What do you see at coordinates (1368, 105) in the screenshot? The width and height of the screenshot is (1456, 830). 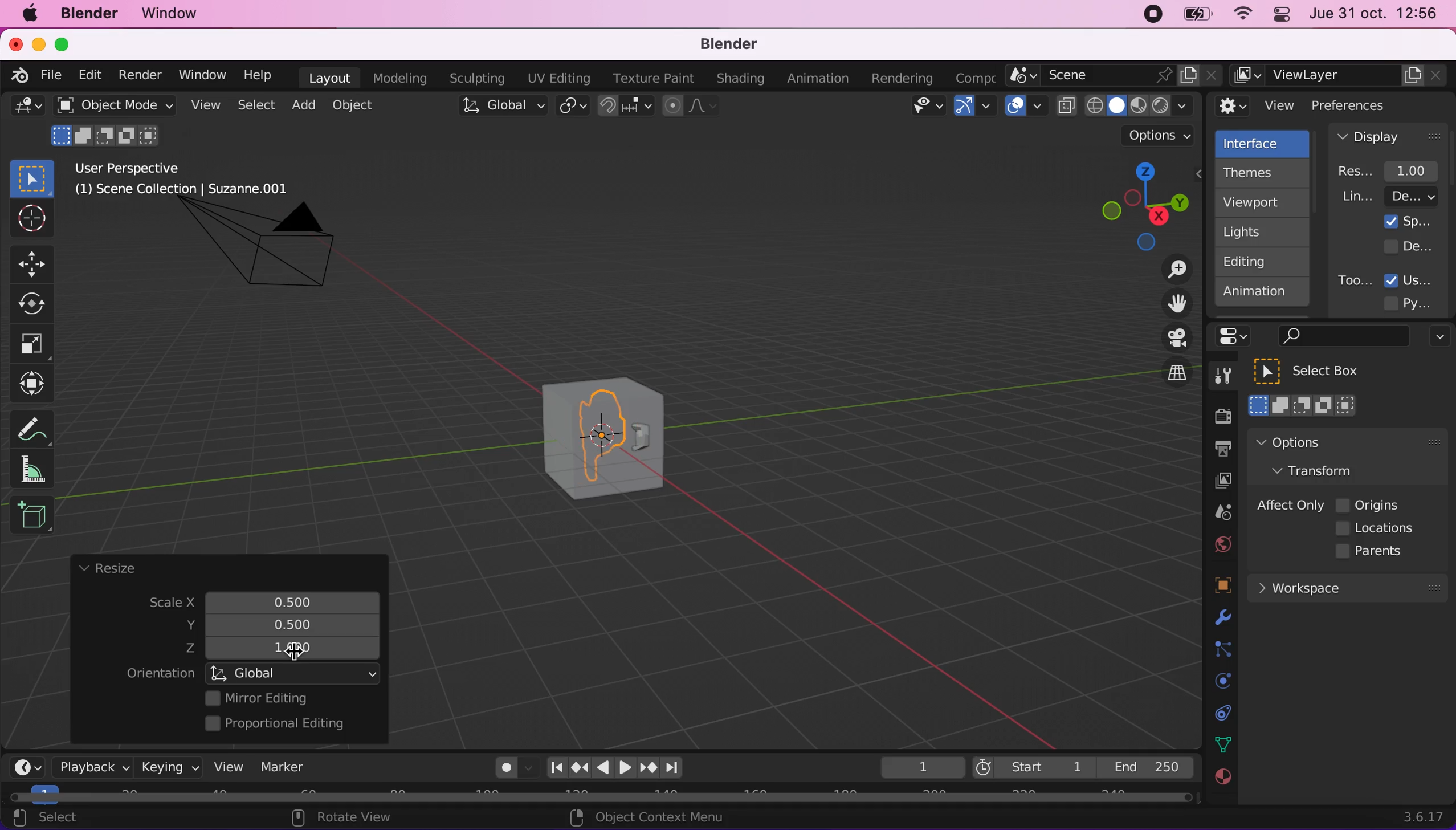 I see `preferences` at bounding box center [1368, 105].